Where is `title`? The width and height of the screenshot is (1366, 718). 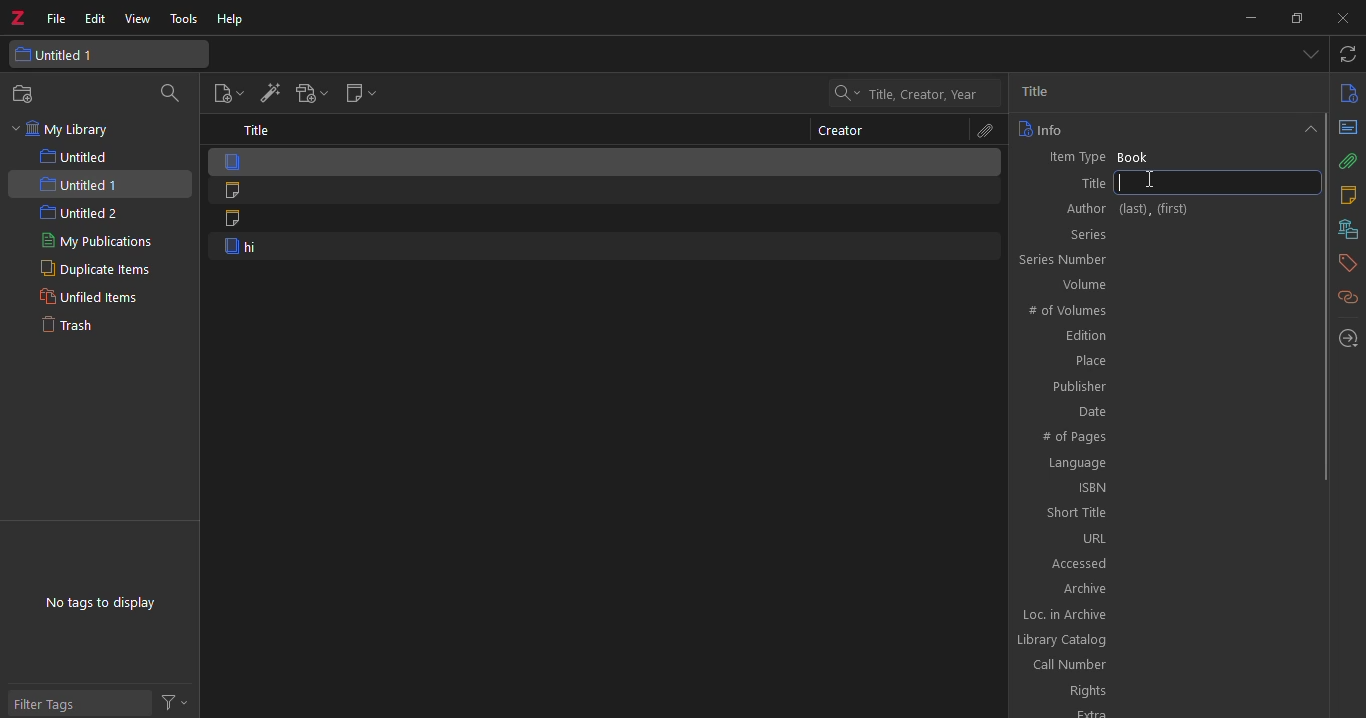 title is located at coordinates (258, 130).